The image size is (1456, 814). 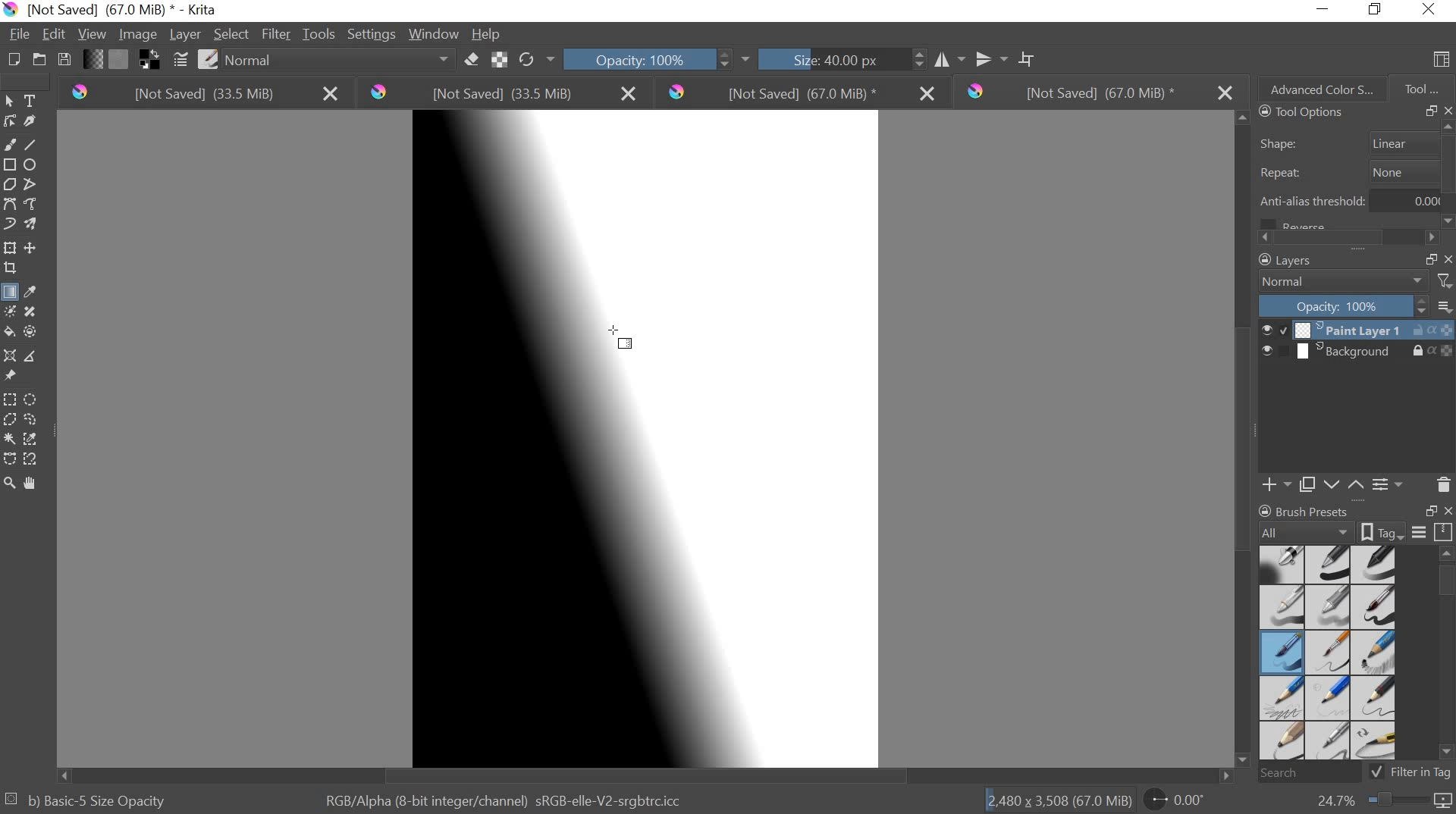 I want to click on text, so click(x=33, y=101).